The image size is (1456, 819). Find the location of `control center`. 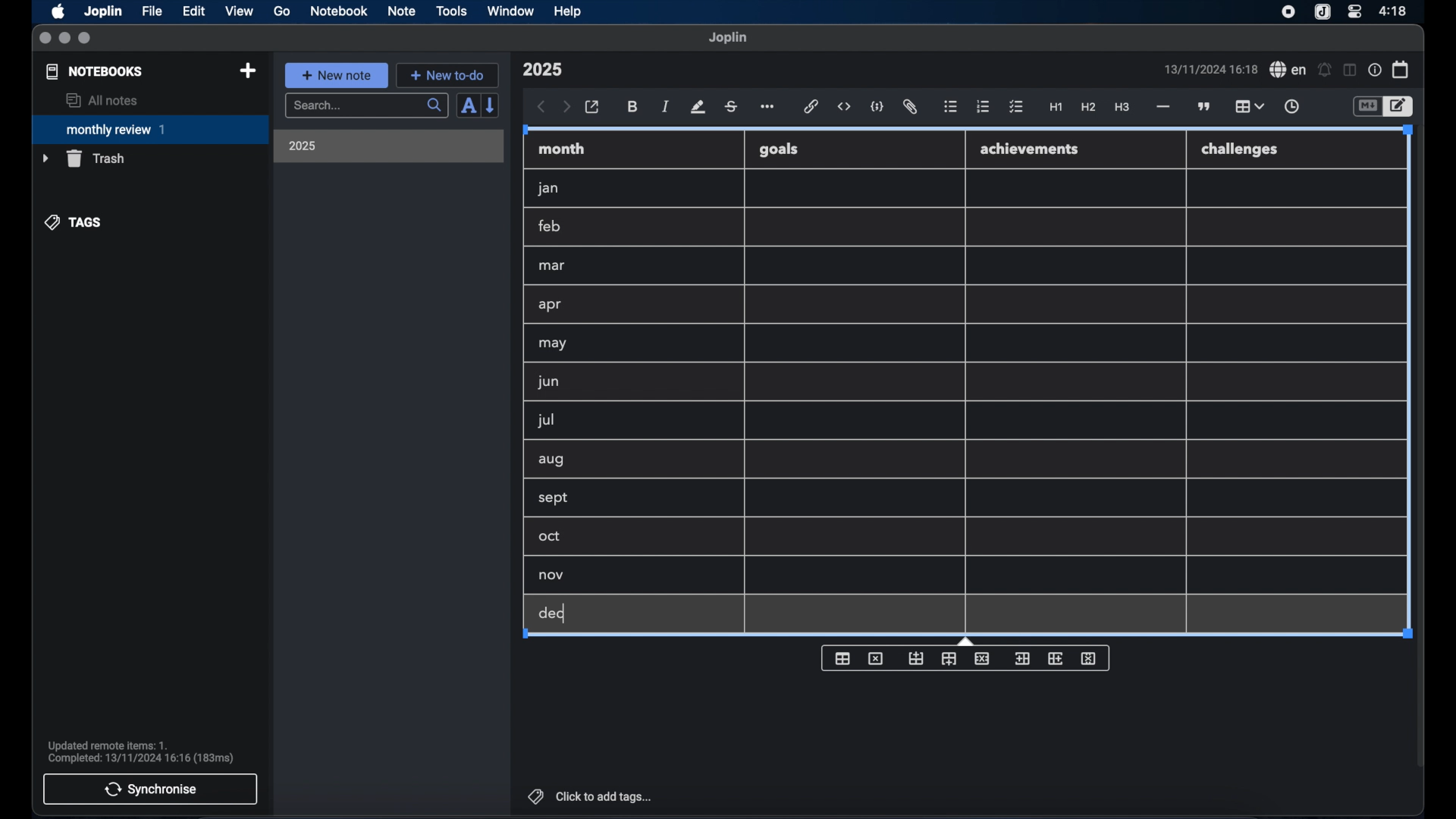

control center is located at coordinates (1354, 11).